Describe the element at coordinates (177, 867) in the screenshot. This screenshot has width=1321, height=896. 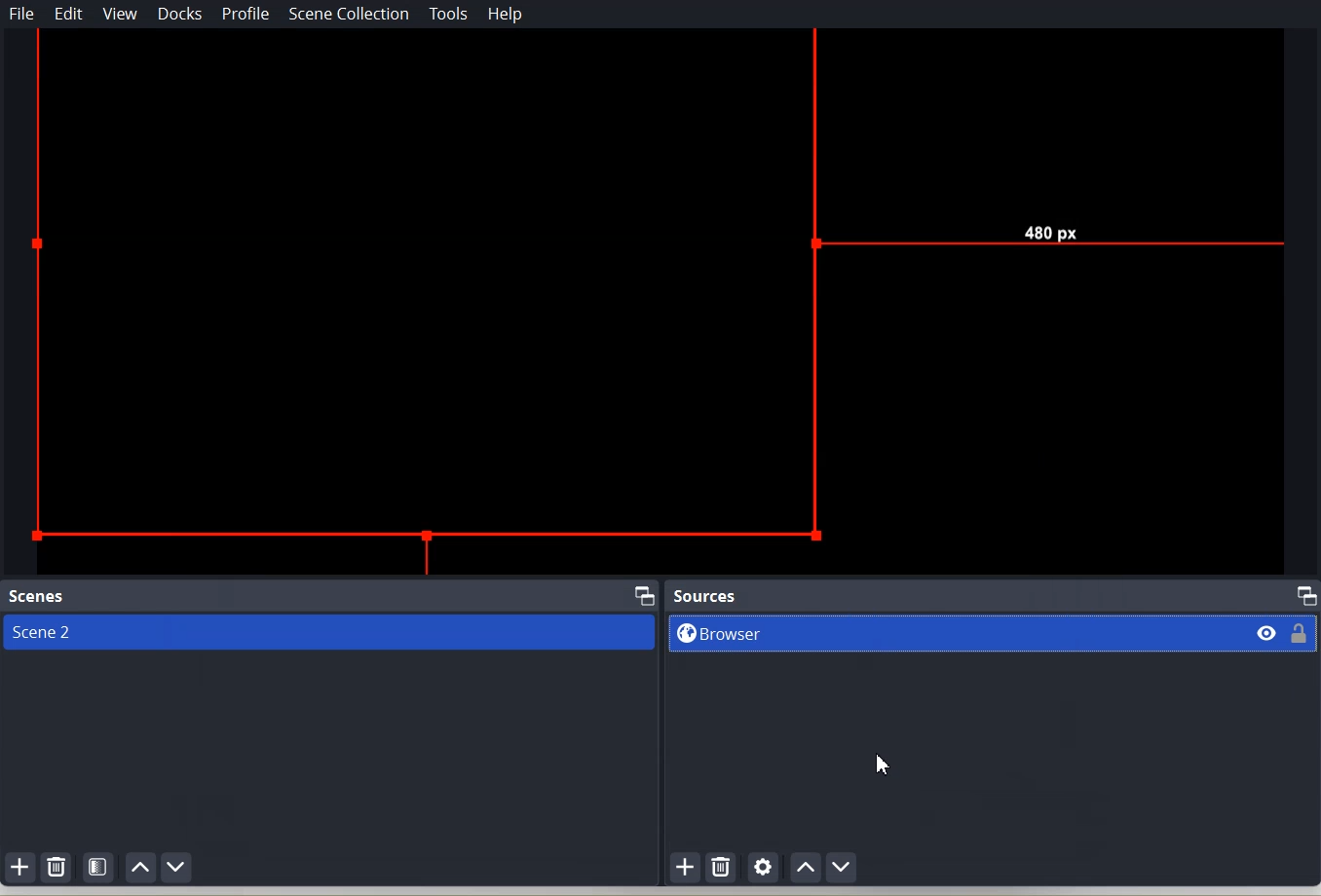
I see `Move scene Down` at that location.